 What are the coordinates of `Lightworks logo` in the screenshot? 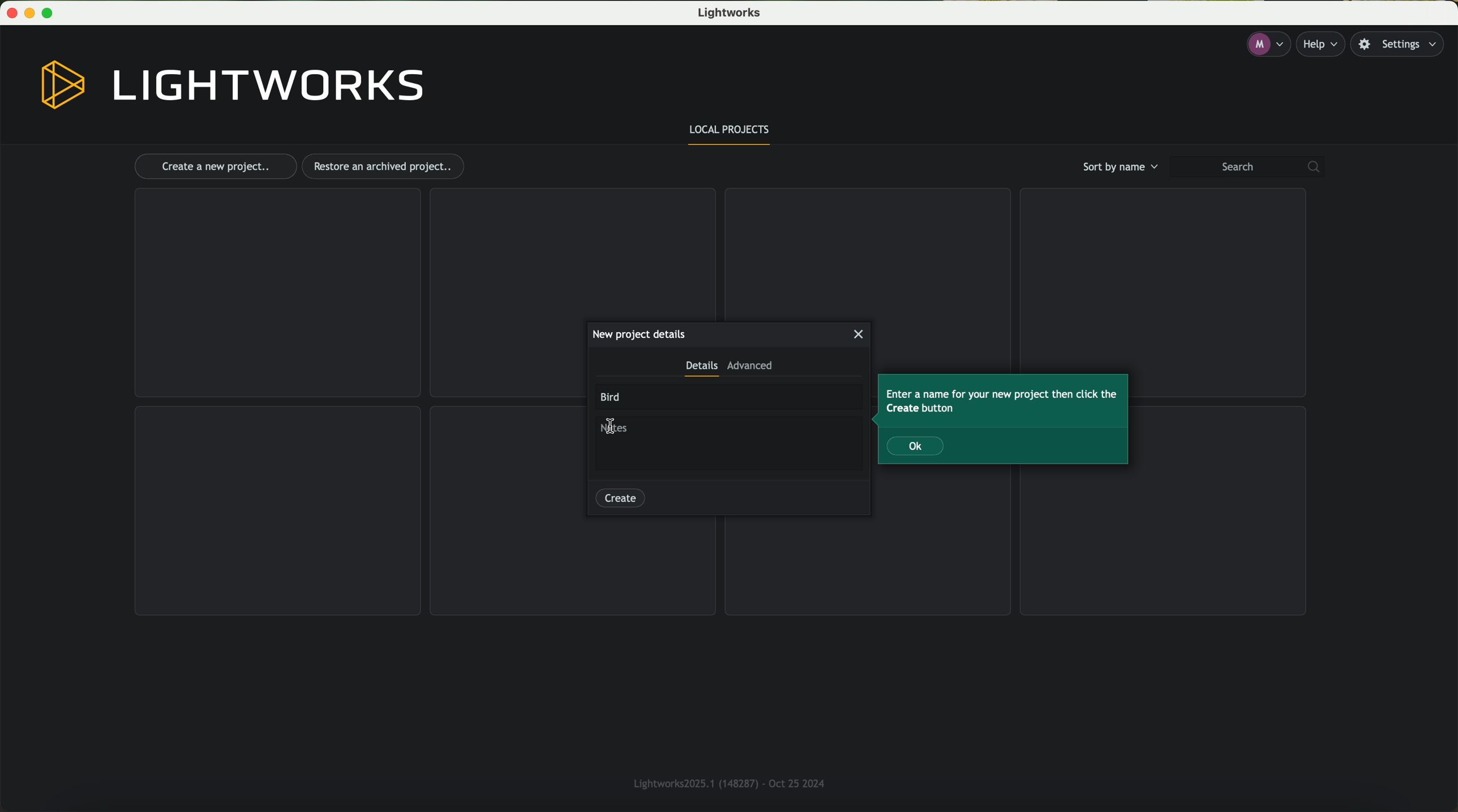 It's located at (233, 85).